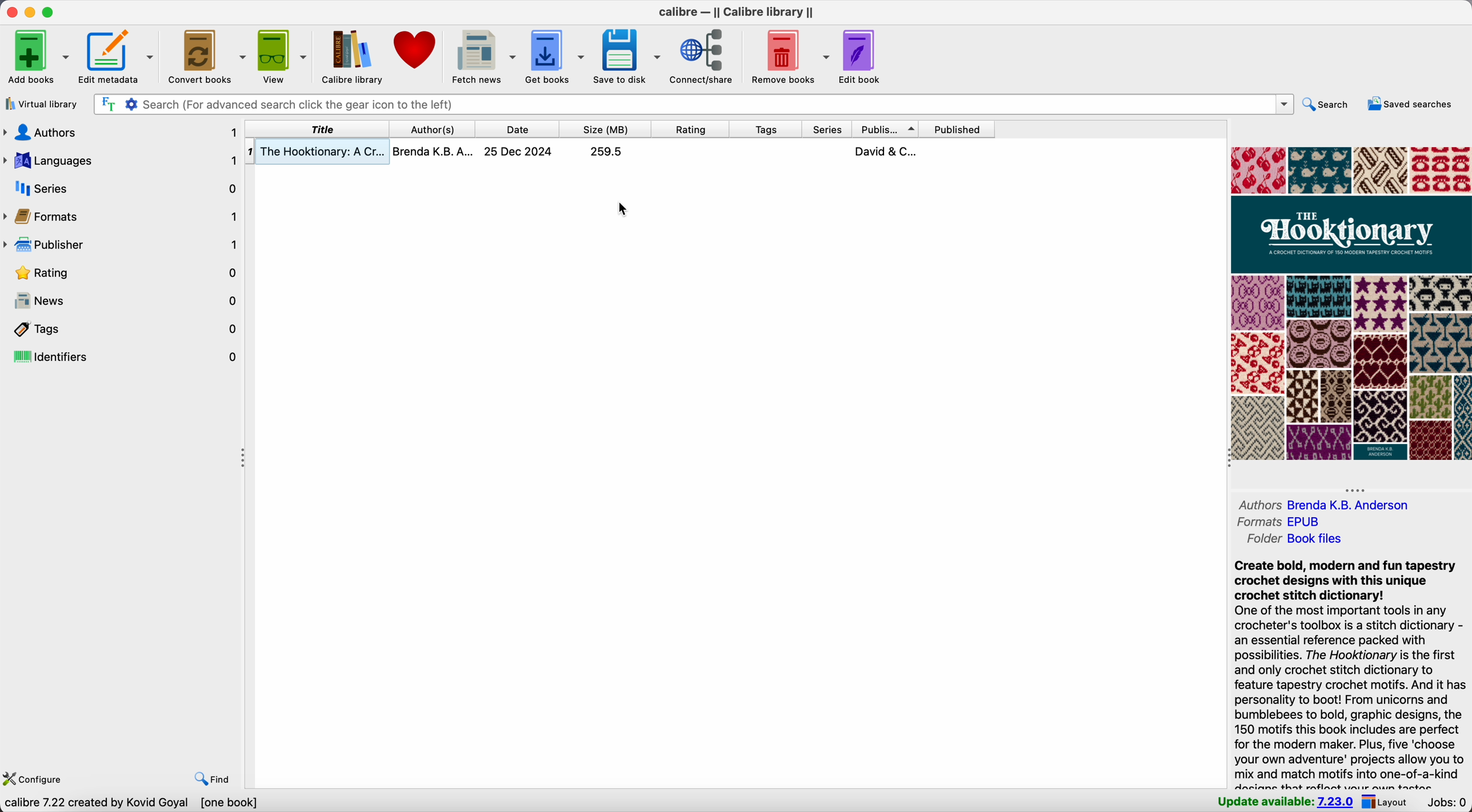 This screenshot has height=812, width=1472. What do you see at coordinates (863, 56) in the screenshot?
I see `edit book` at bounding box center [863, 56].